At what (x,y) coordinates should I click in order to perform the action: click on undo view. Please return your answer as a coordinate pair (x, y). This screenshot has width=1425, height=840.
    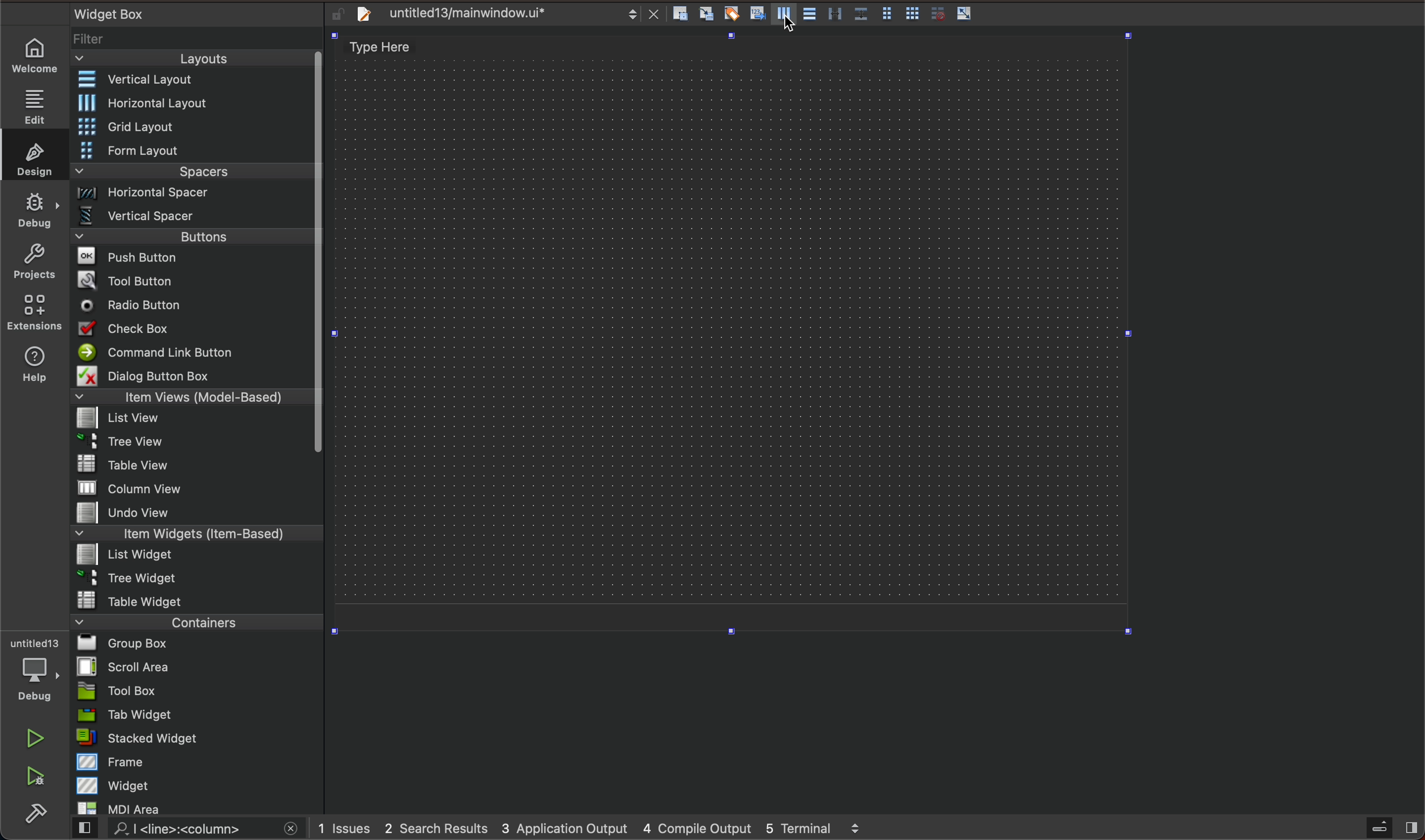
    Looking at the image, I should click on (192, 513).